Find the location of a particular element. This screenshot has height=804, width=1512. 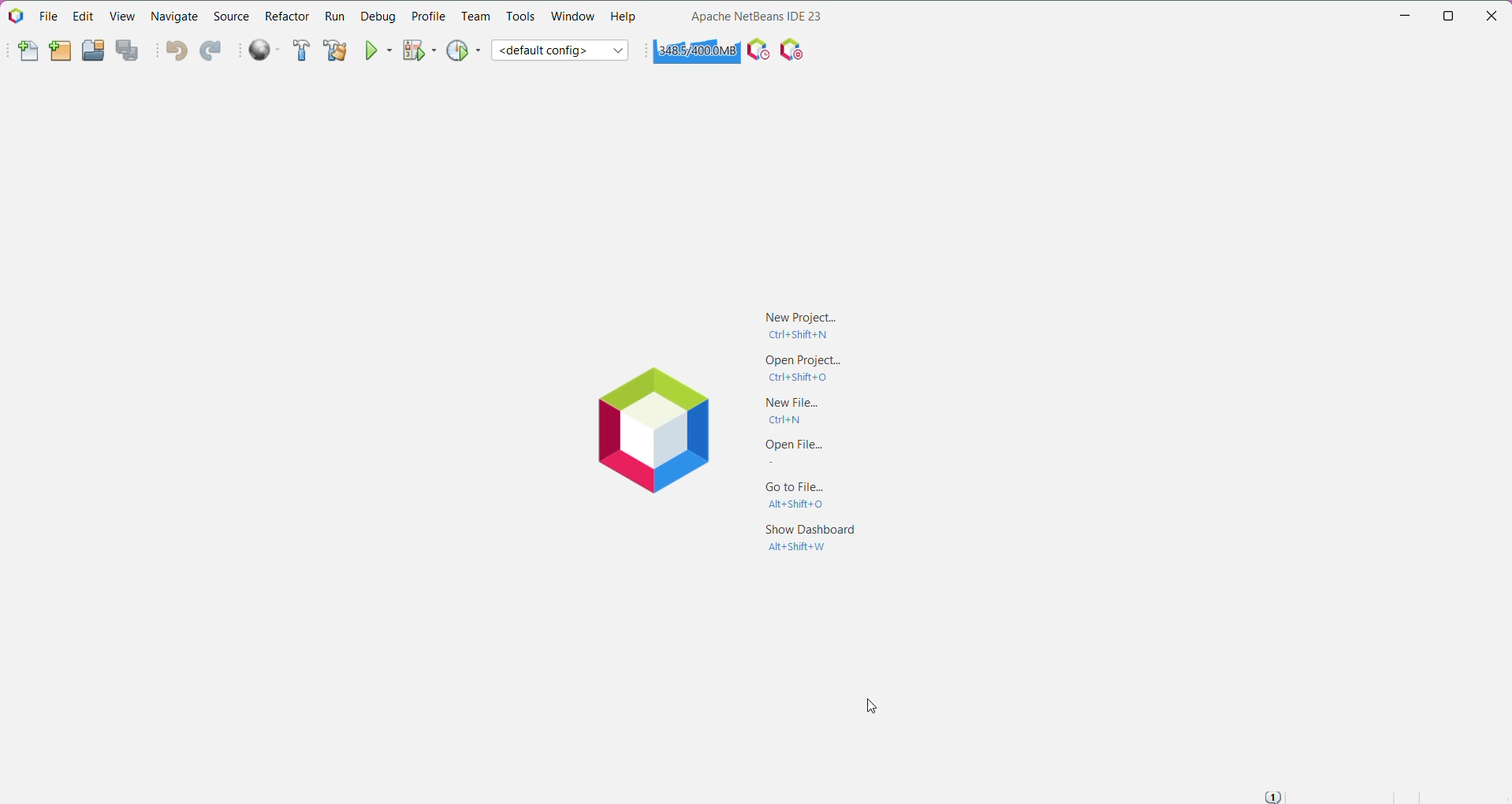

Navigate is located at coordinates (177, 15).